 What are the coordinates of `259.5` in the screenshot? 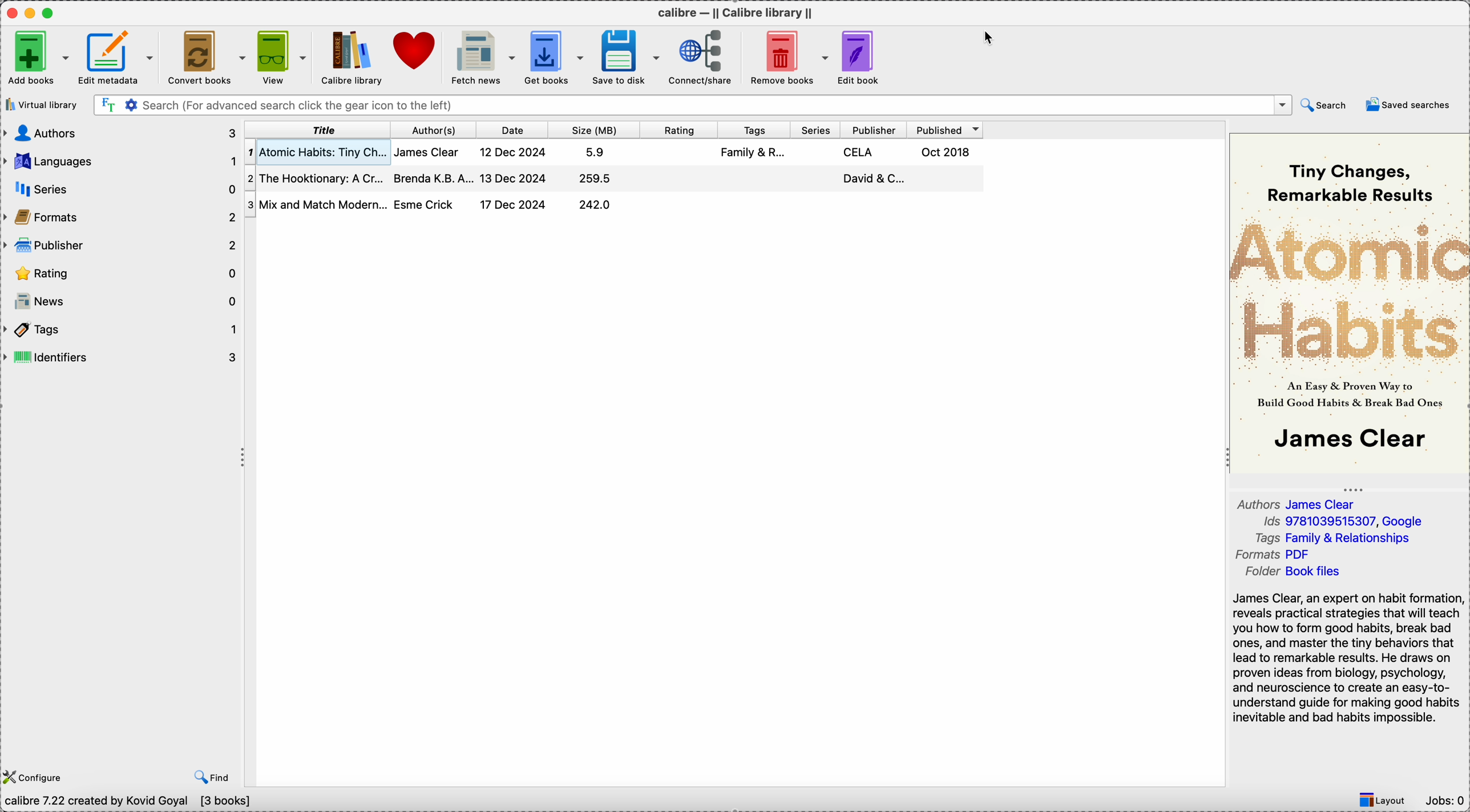 It's located at (594, 178).